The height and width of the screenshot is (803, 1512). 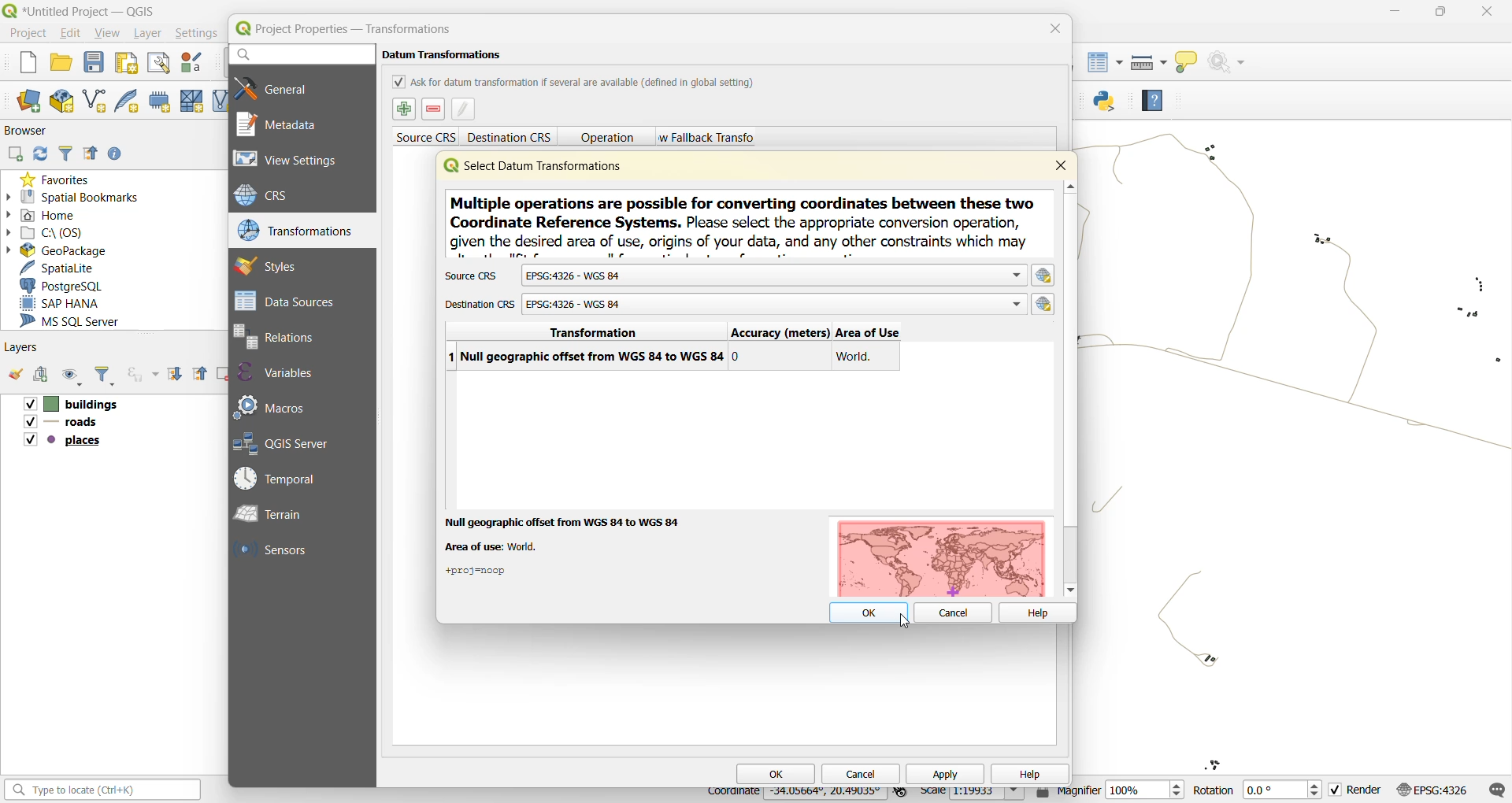 I want to click on area of use, so click(x=870, y=332).